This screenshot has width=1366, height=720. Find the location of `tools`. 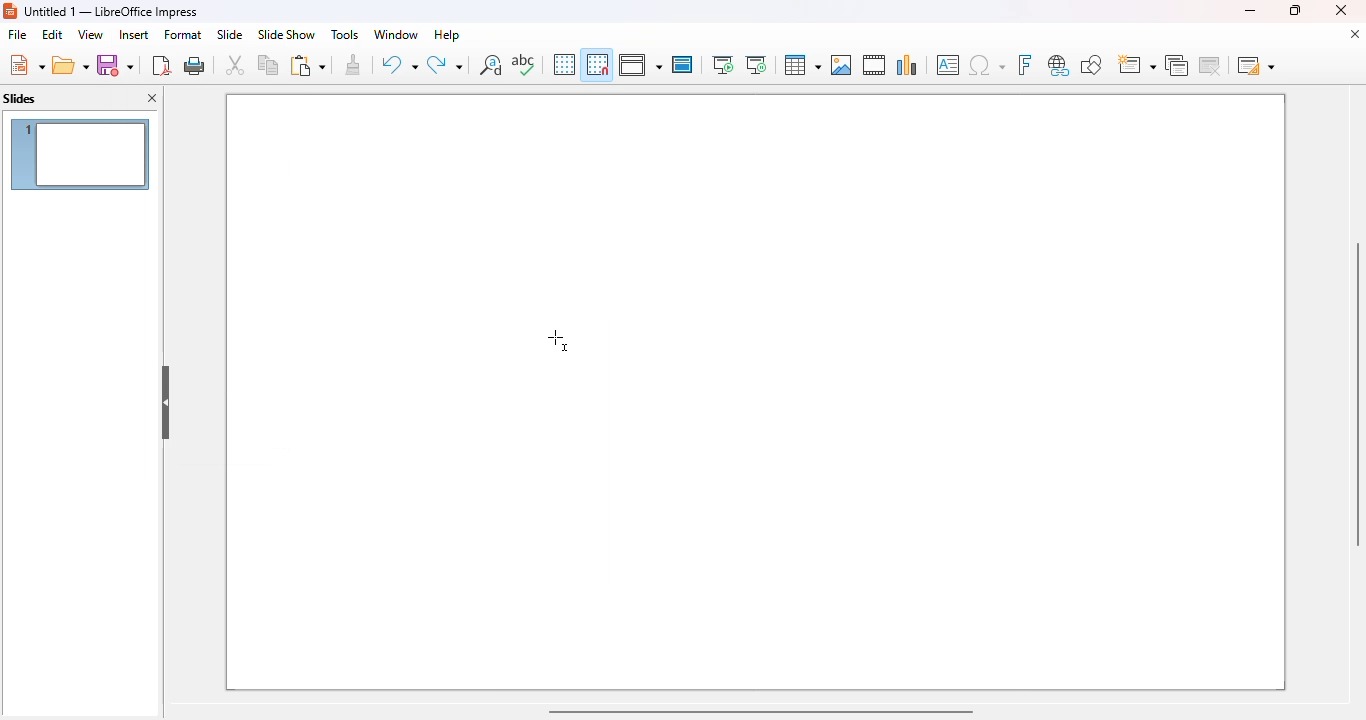

tools is located at coordinates (344, 34).